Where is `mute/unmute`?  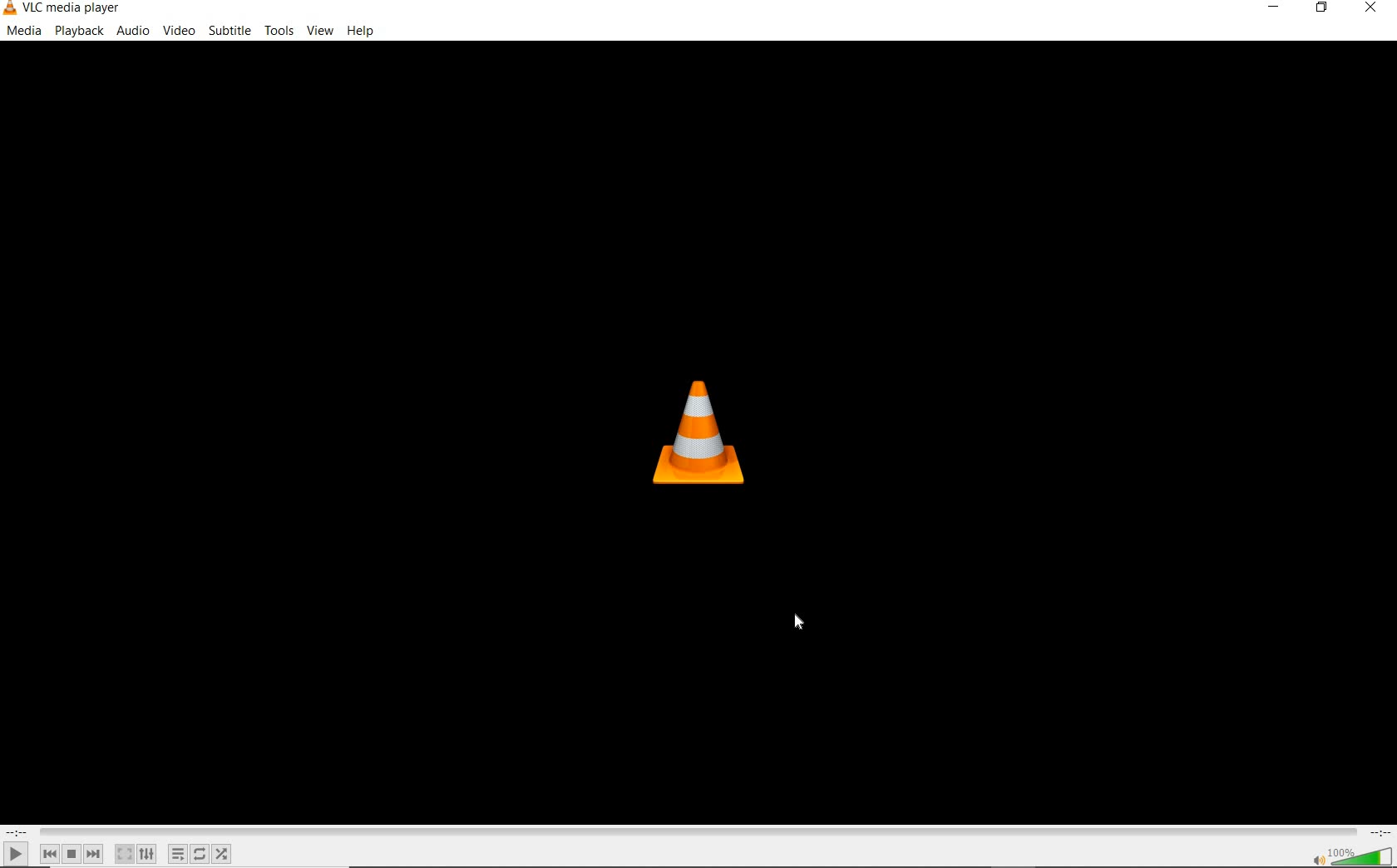 mute/unmute is located at coordinates (1317, 859).